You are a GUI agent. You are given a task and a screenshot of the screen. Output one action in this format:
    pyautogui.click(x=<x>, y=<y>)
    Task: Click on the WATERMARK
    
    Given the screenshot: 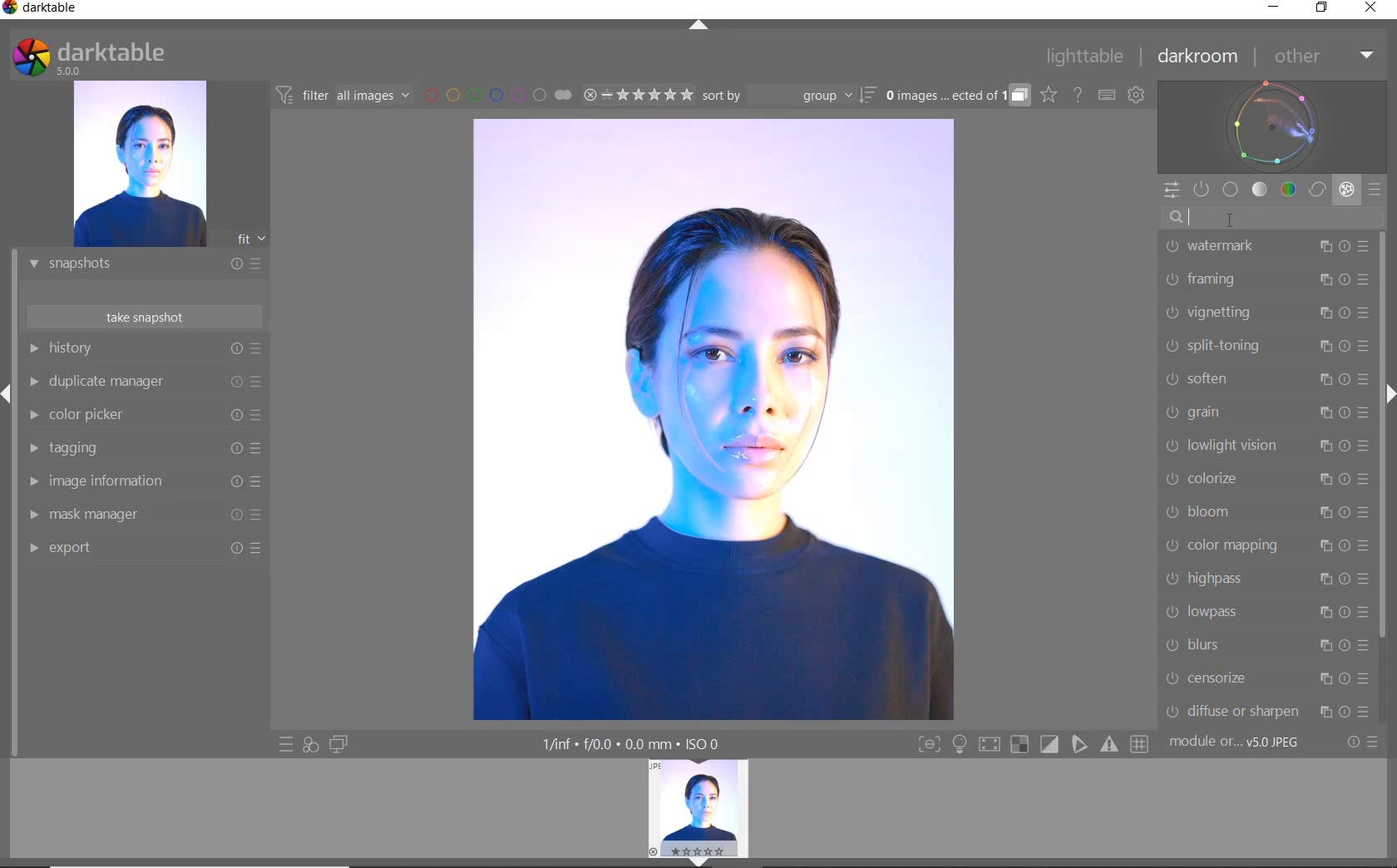 What is the action you would take?
    pyautogui.click(x=1266, y=245)
    